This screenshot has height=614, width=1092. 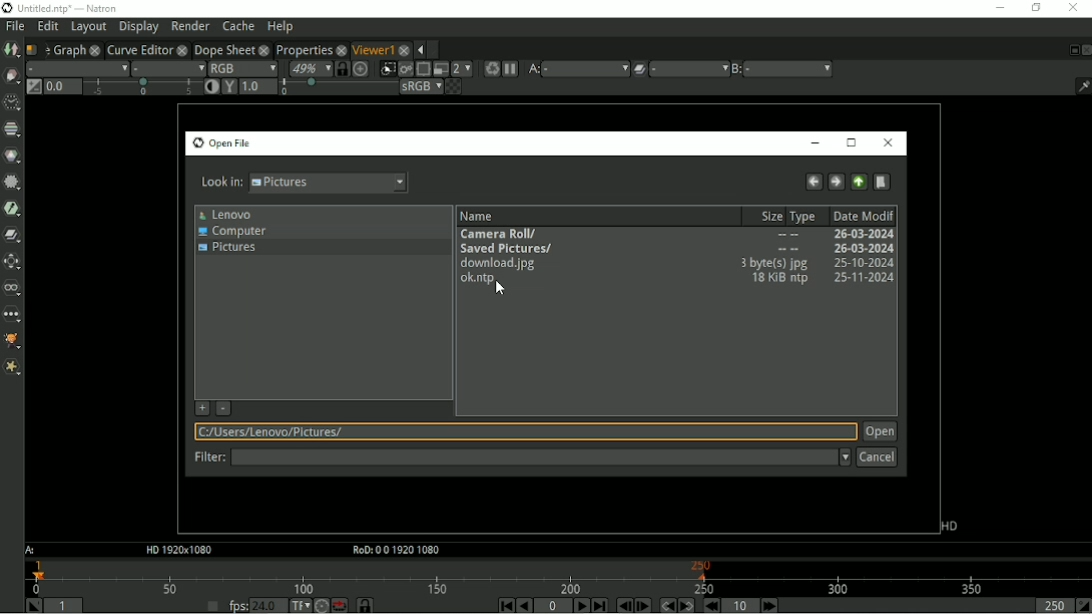 I want to click on Curve Editor, so click(x=138, y=48).